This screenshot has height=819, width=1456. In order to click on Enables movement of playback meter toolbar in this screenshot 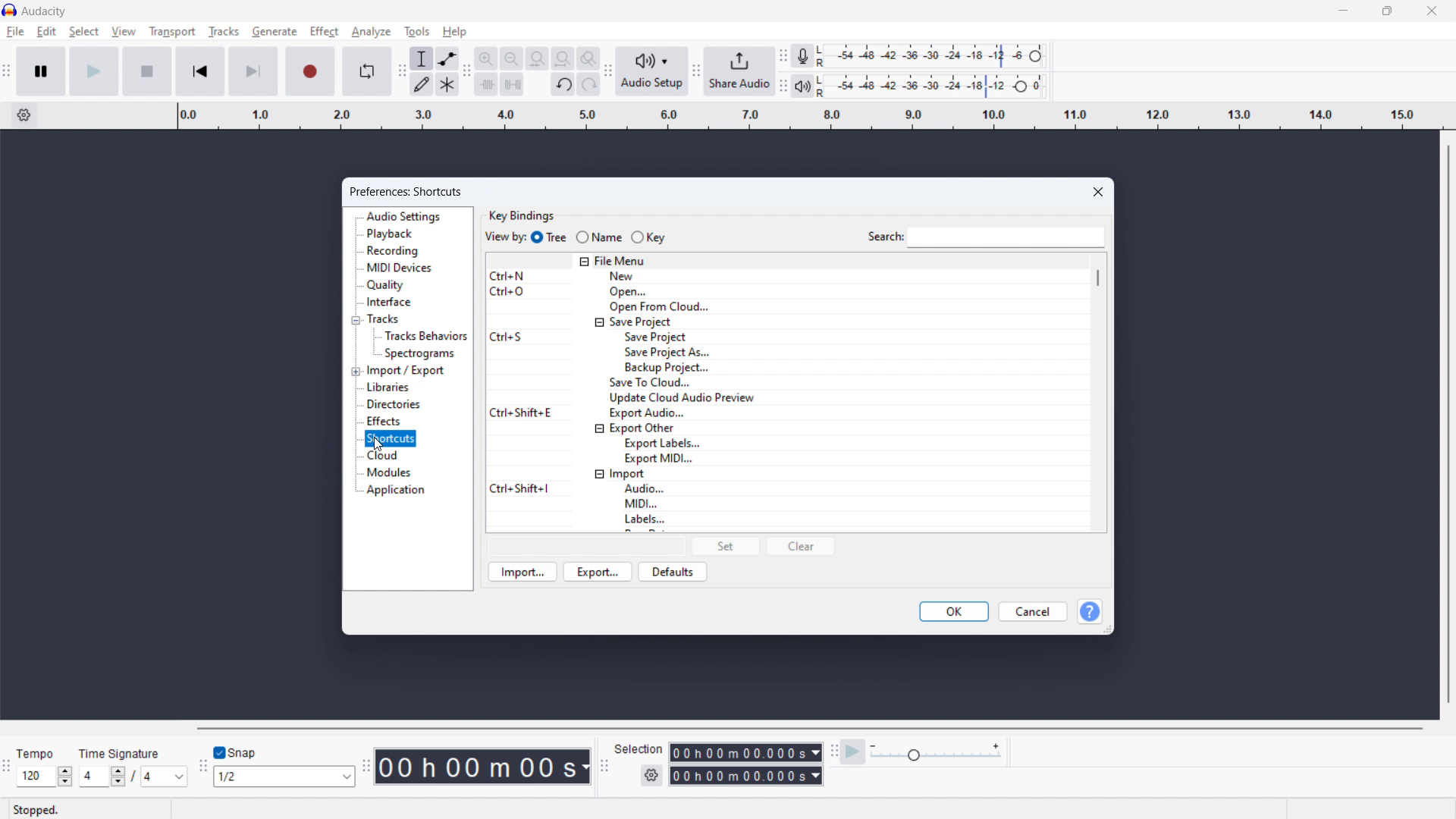, I will do `click(783, 86)`.